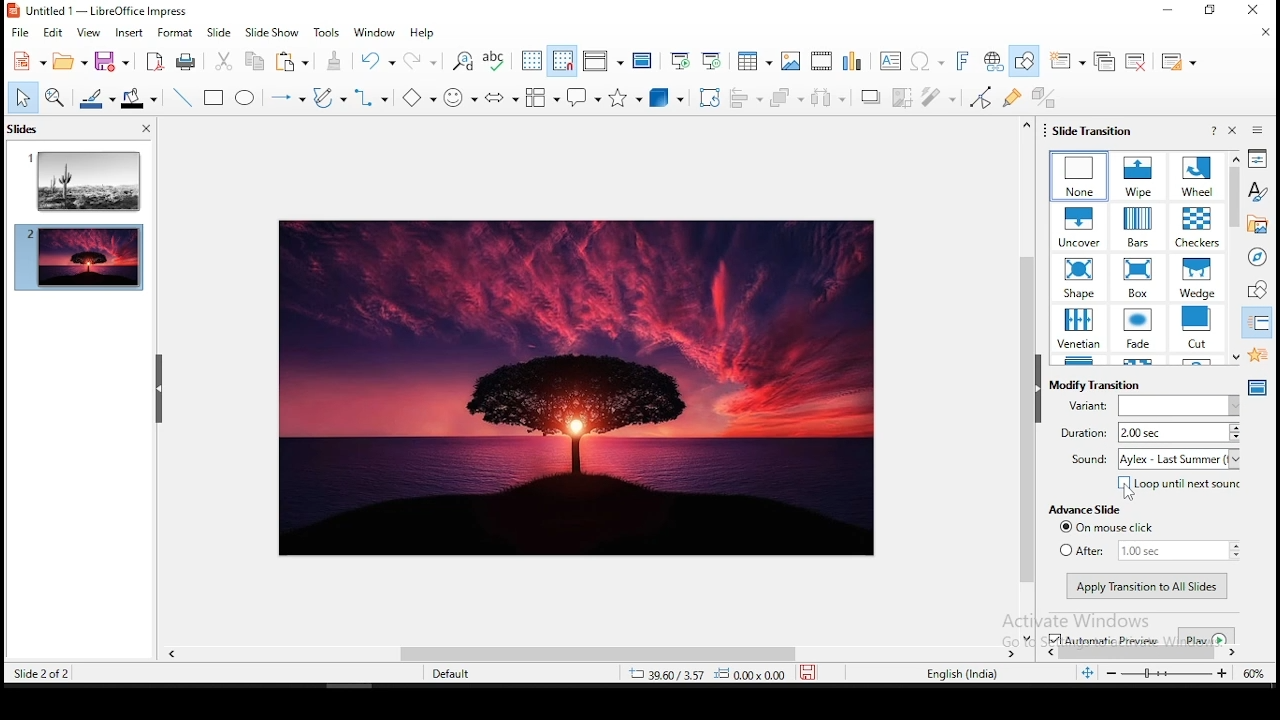 Image resolution: width=1280 pixels, height=720 pixels. Describe the element at coordinates (1153, 459) in the screenshot. I see `sound aylex- Last summer` at that location.